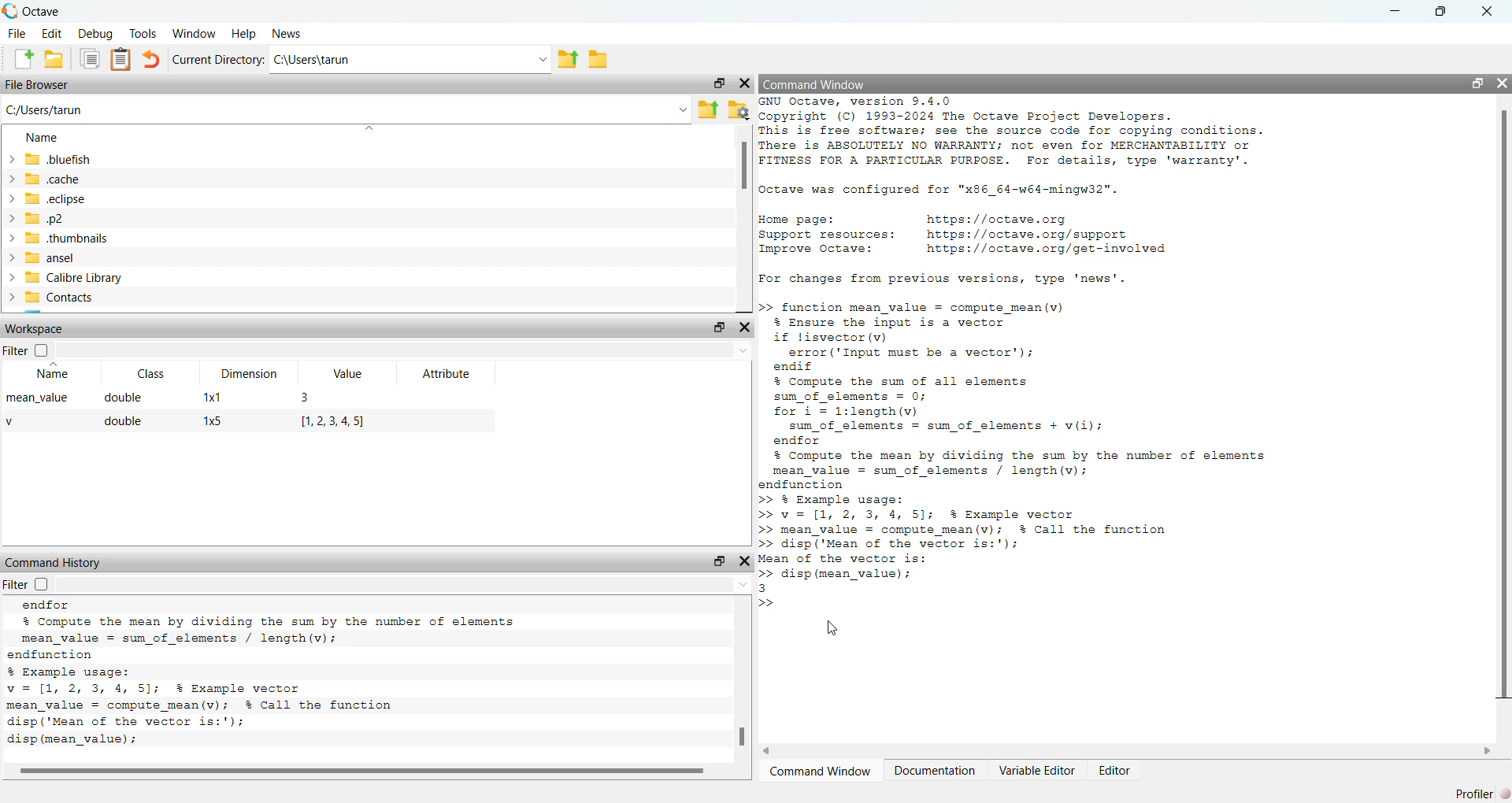 This screenshot has height=803, width=1512. What do you see at coordinates (38, 86) in the screenshot?
I see `File Browser` at bounding box center [38, 86].